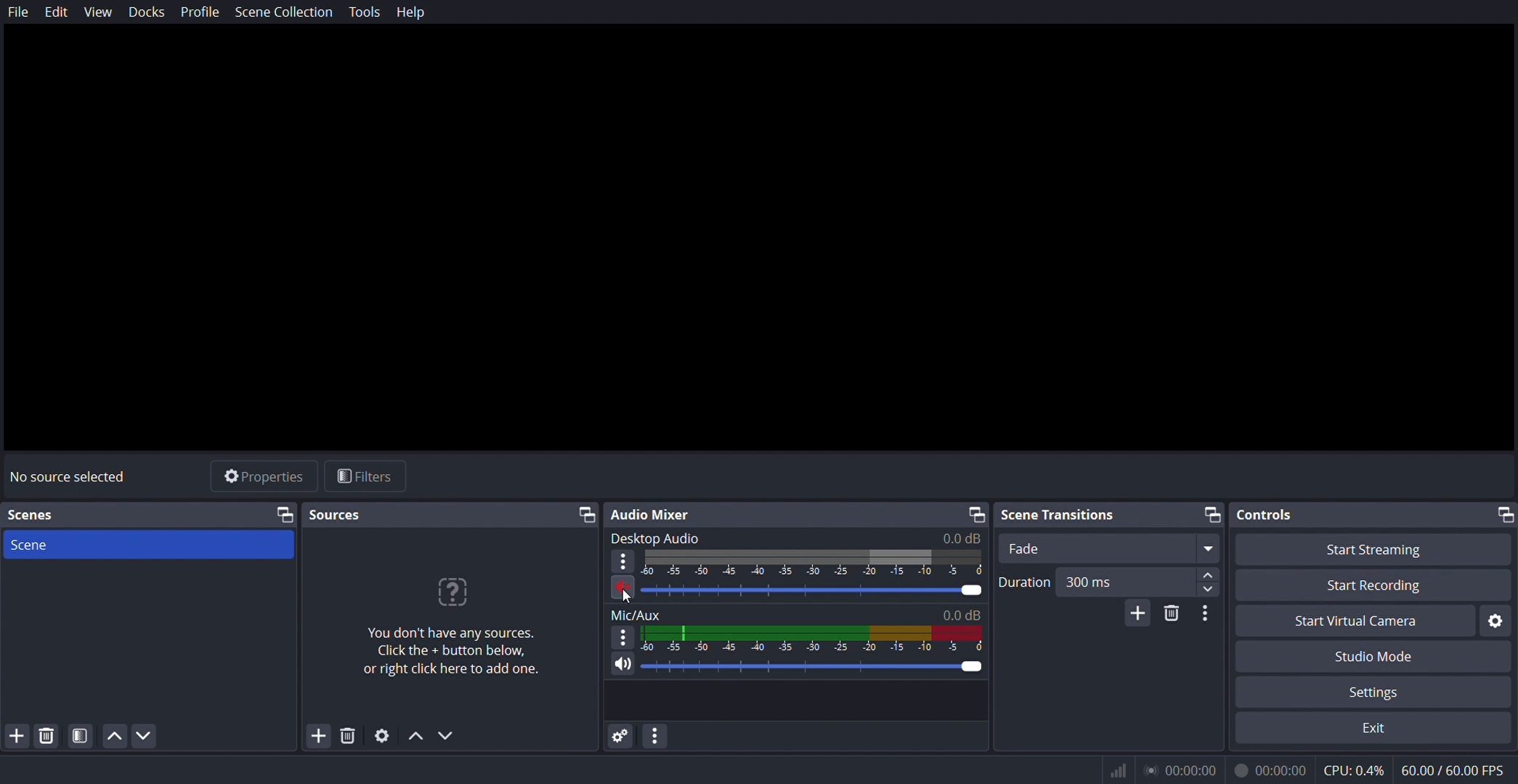 The width and height of the screenshot is (1518, 784). I want to click on start virtual camera, so click(1360, 621).